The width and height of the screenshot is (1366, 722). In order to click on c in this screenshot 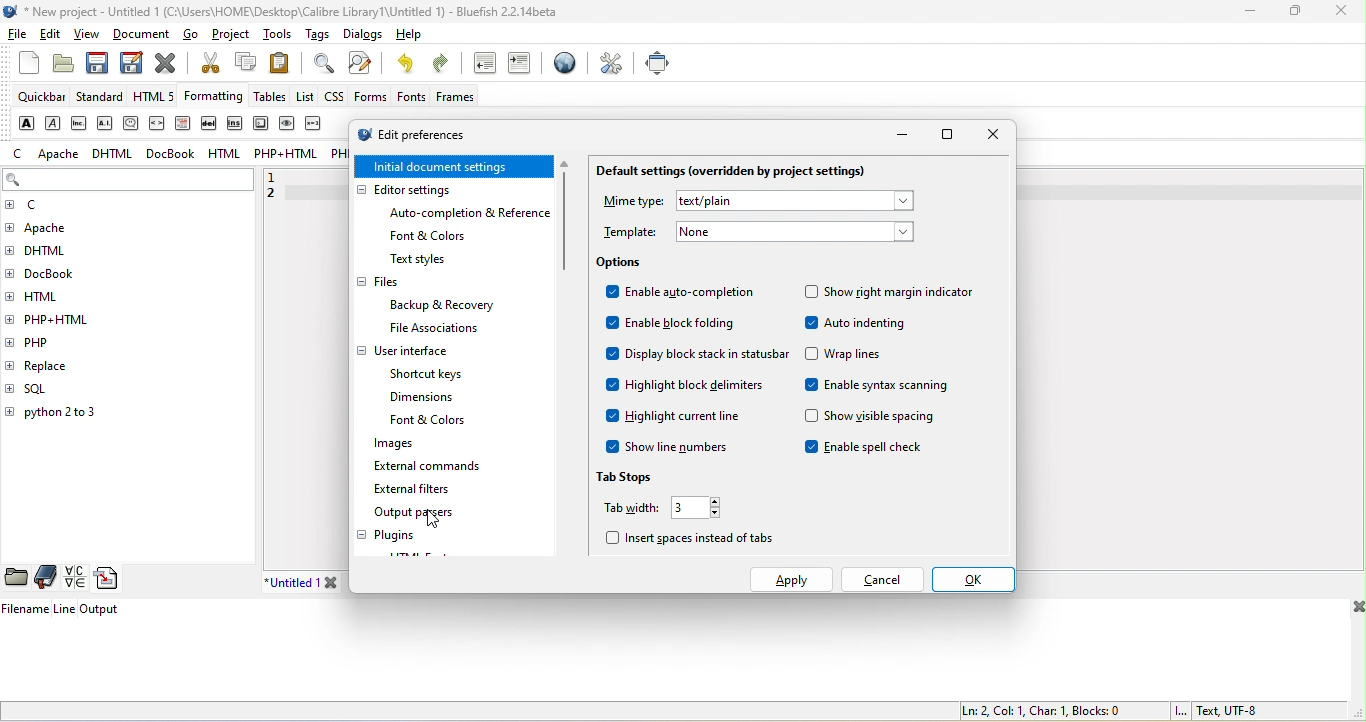, I will do `click(19, 154)`.